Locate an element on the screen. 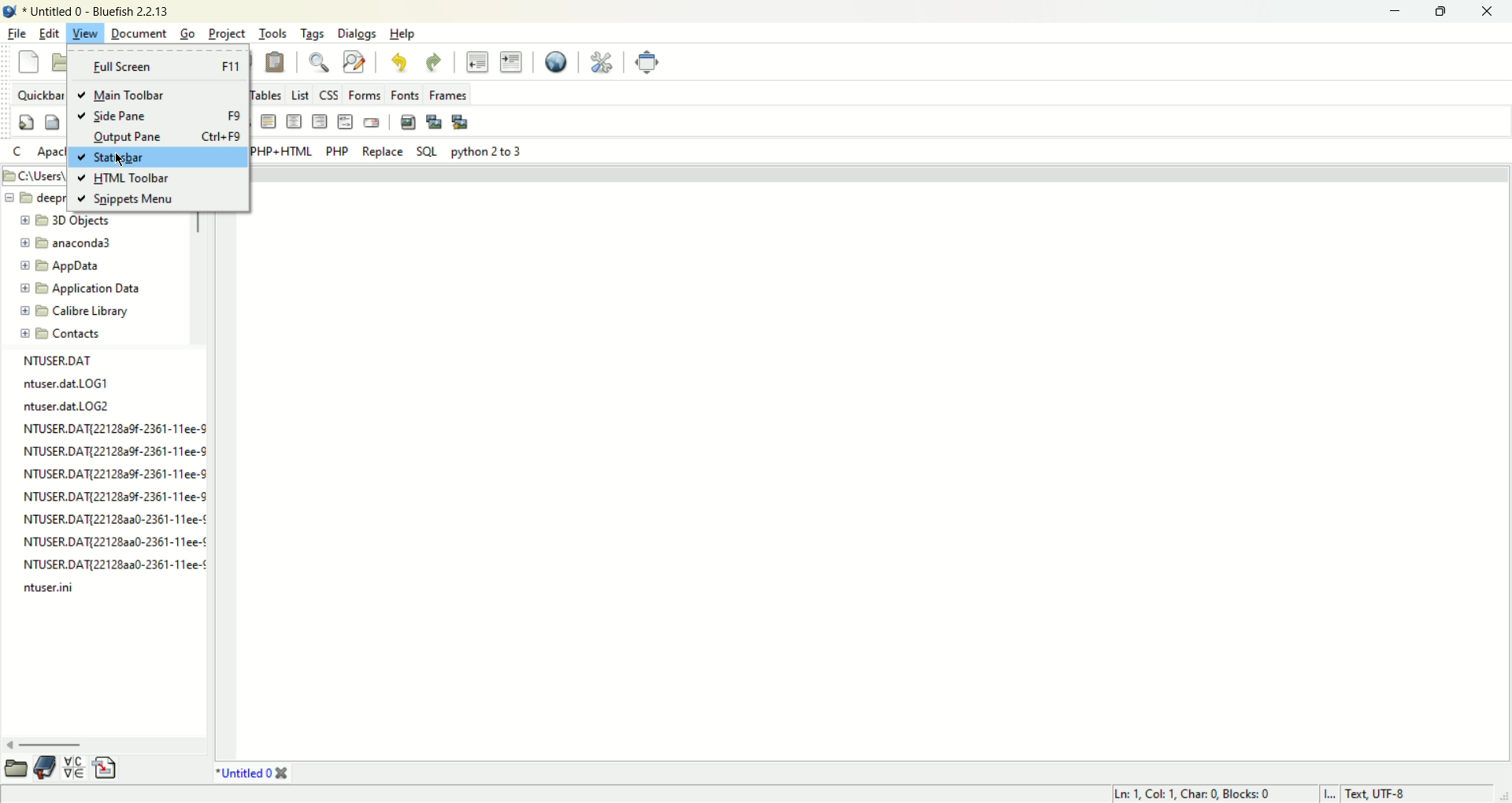 The height and width of the screenshot is (803, 1512). cursor is located at coordinates (120, 157).